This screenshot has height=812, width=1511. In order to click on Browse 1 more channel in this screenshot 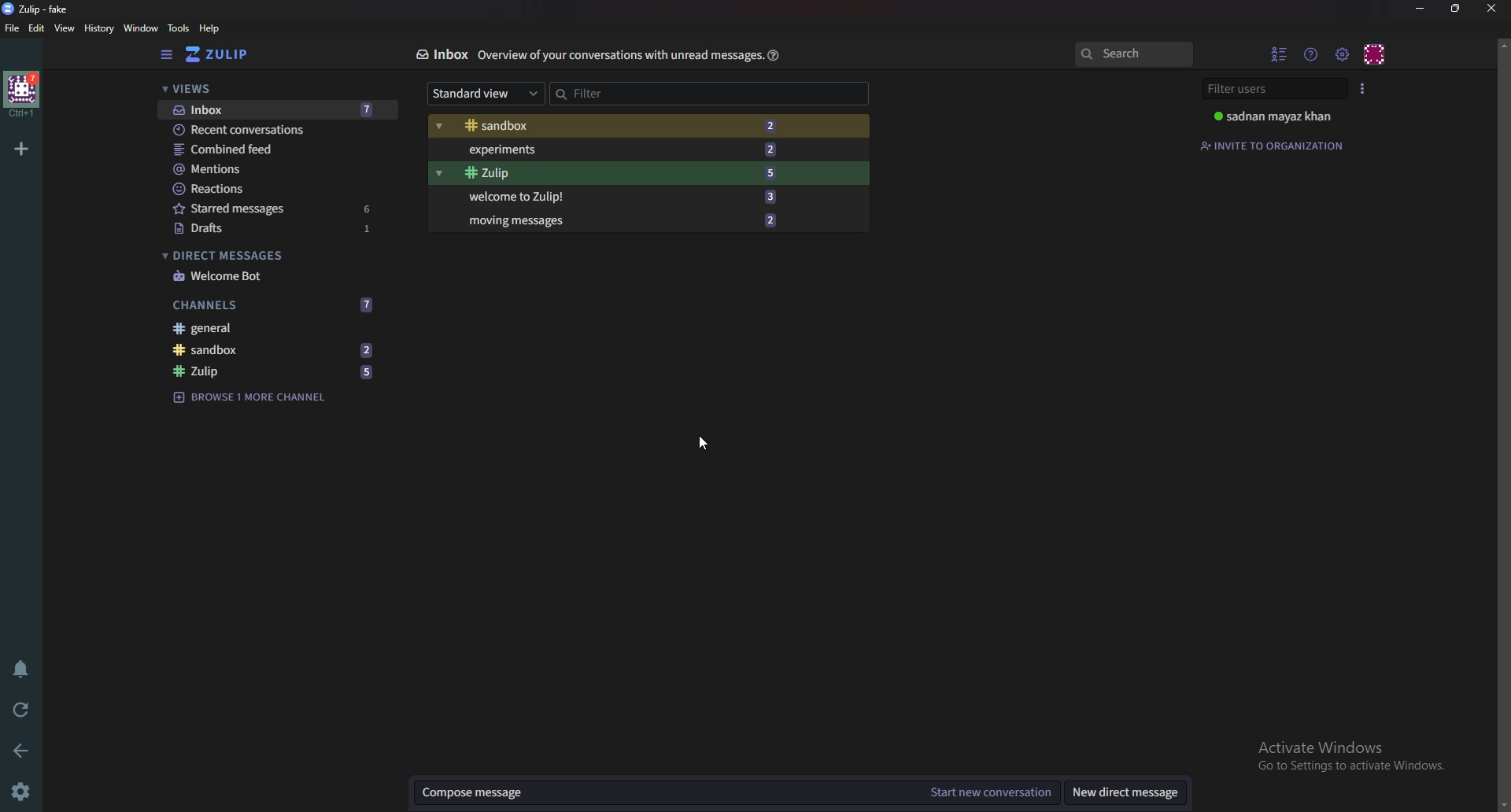, I will do `click(254, 397)`.